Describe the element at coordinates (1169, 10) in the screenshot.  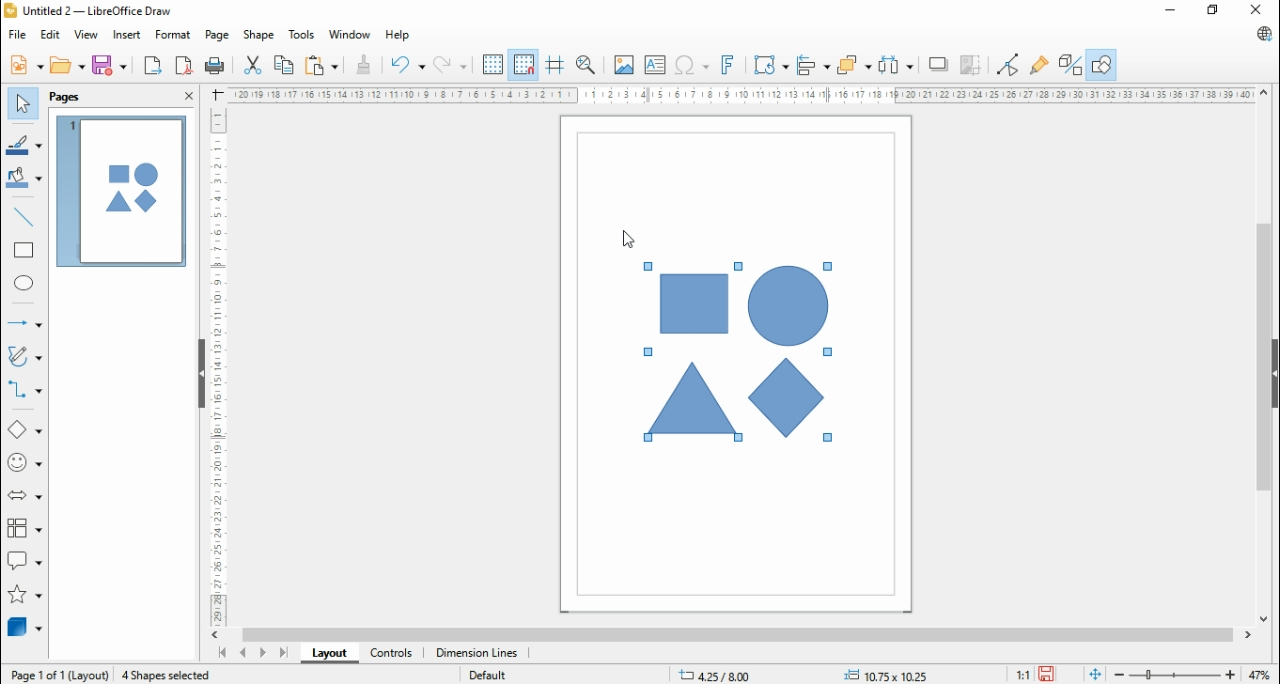
I see `minimize` at that location.